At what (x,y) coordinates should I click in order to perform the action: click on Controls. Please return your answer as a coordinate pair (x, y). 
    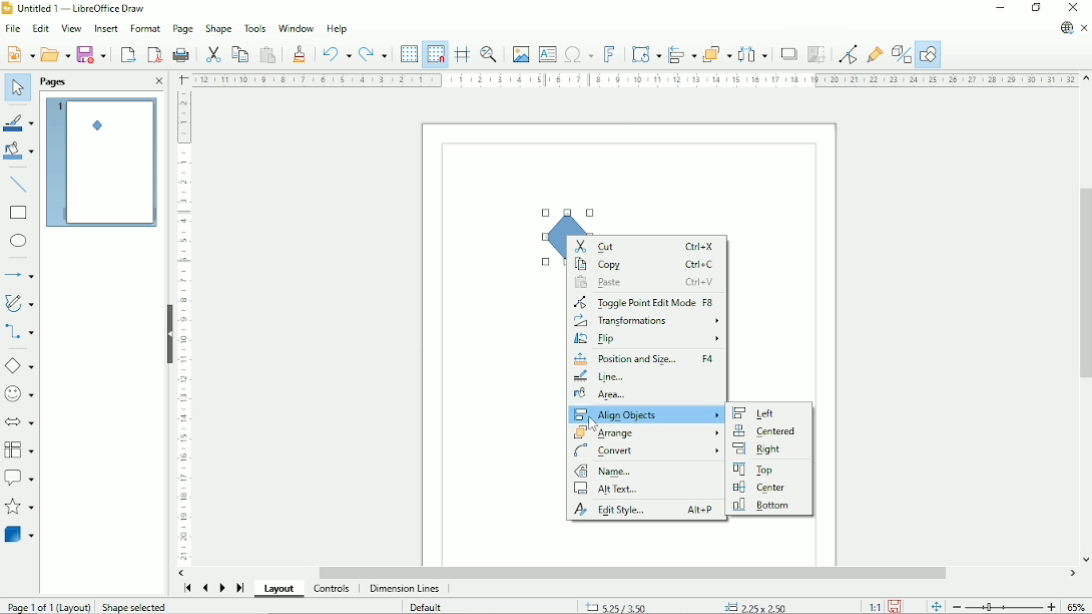
    Looking at the image, I should click on (333, 589).